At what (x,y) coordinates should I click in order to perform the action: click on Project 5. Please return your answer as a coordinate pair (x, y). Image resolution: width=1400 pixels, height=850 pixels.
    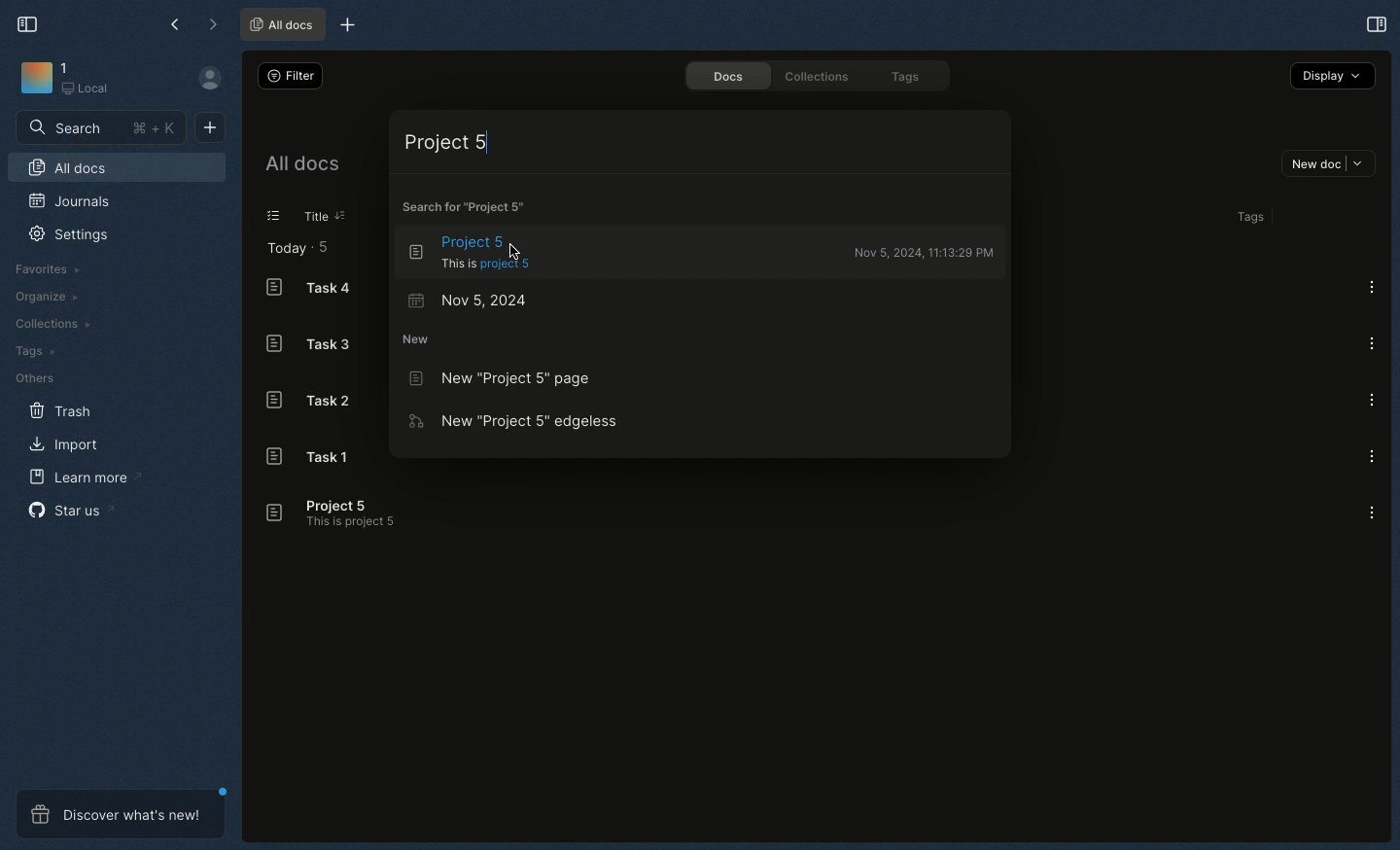
    Looking at the image, I should click on (458, 144).